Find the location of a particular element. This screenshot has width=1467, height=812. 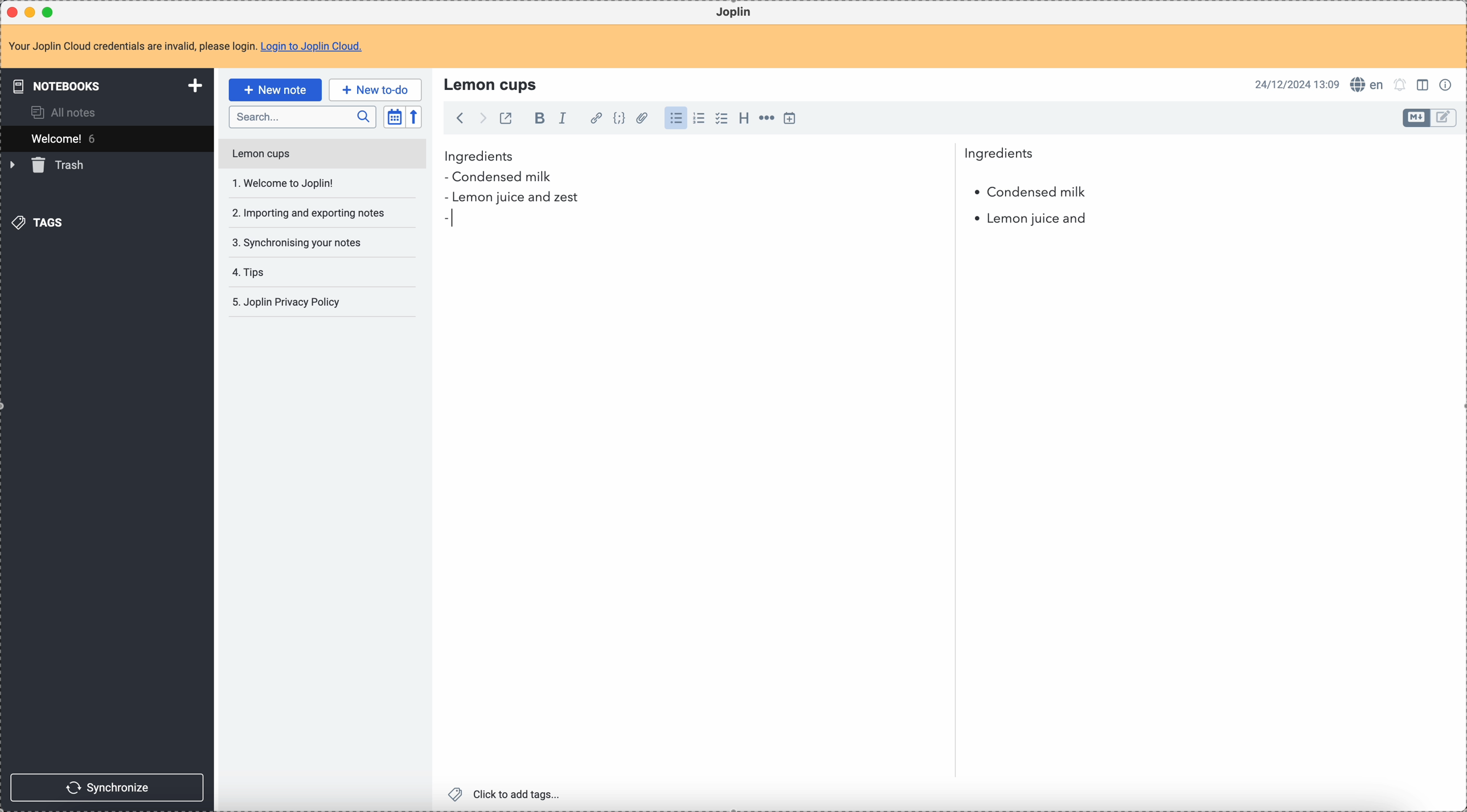

ingredients is located at coordinates (739, 157).